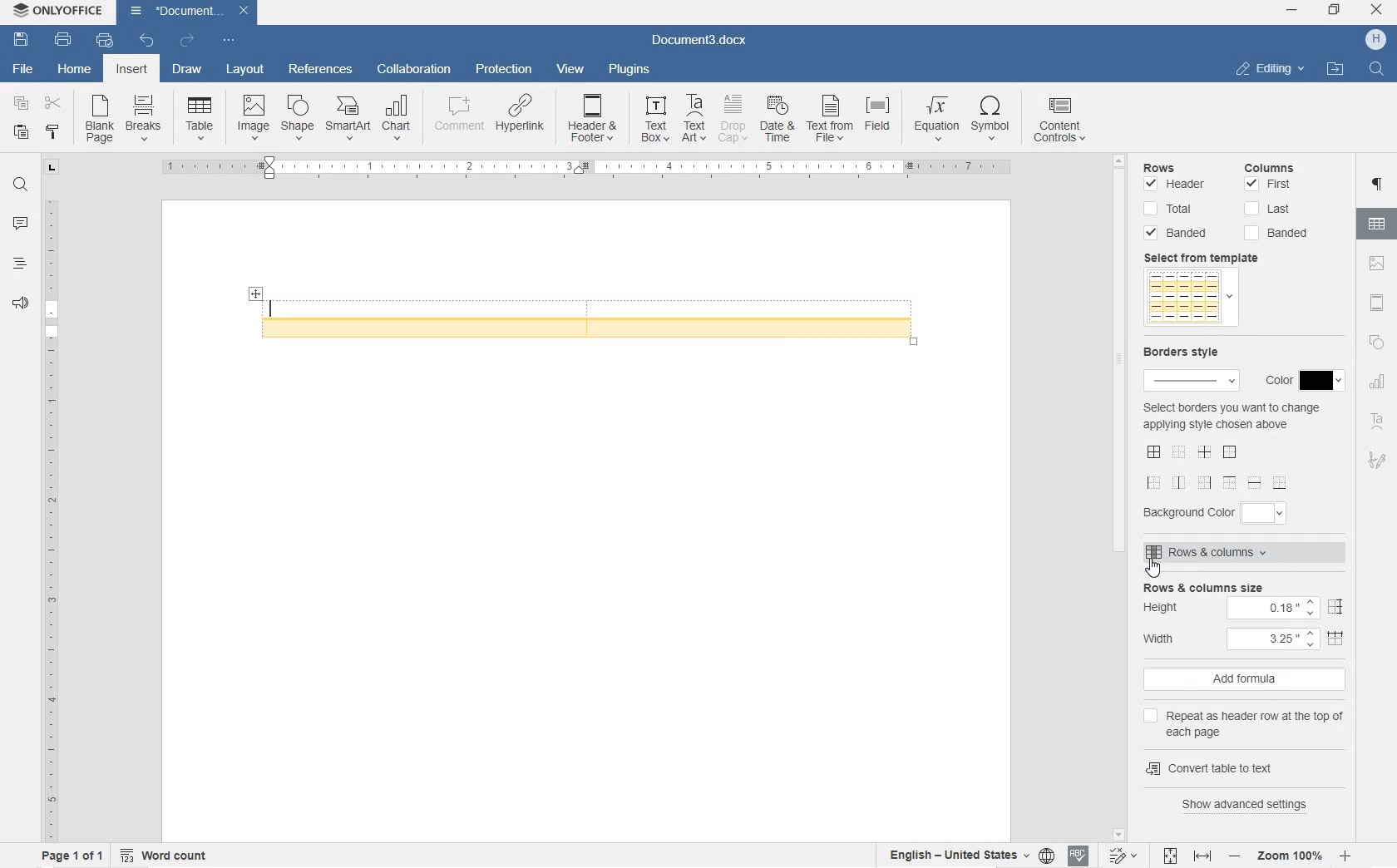 The image size is (1397, 868). Describe the element at coordinates (64, 39) in the screenshot. I see `PRINT` at that location.